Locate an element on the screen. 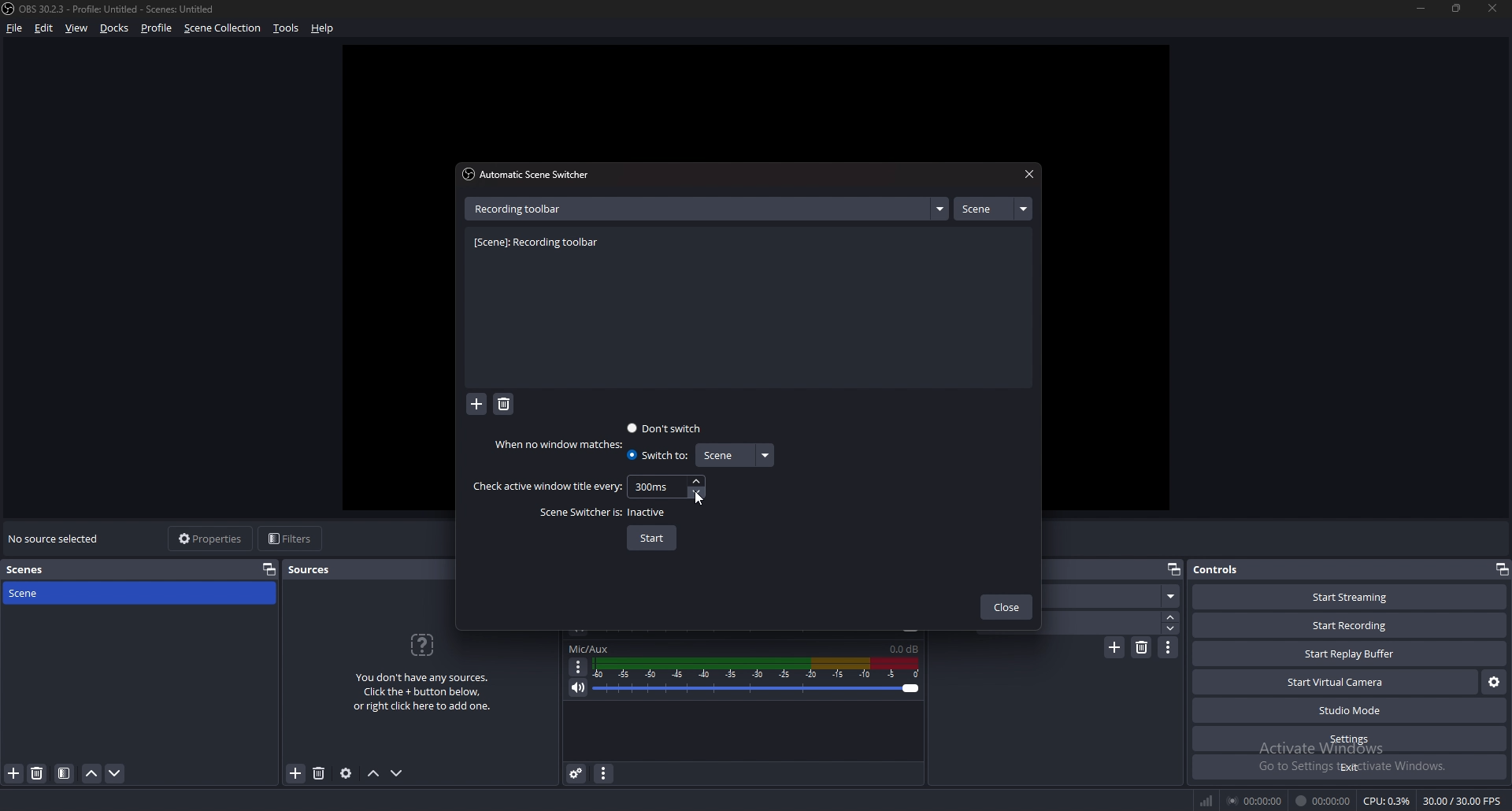  file is located at coordinates (16, 28).